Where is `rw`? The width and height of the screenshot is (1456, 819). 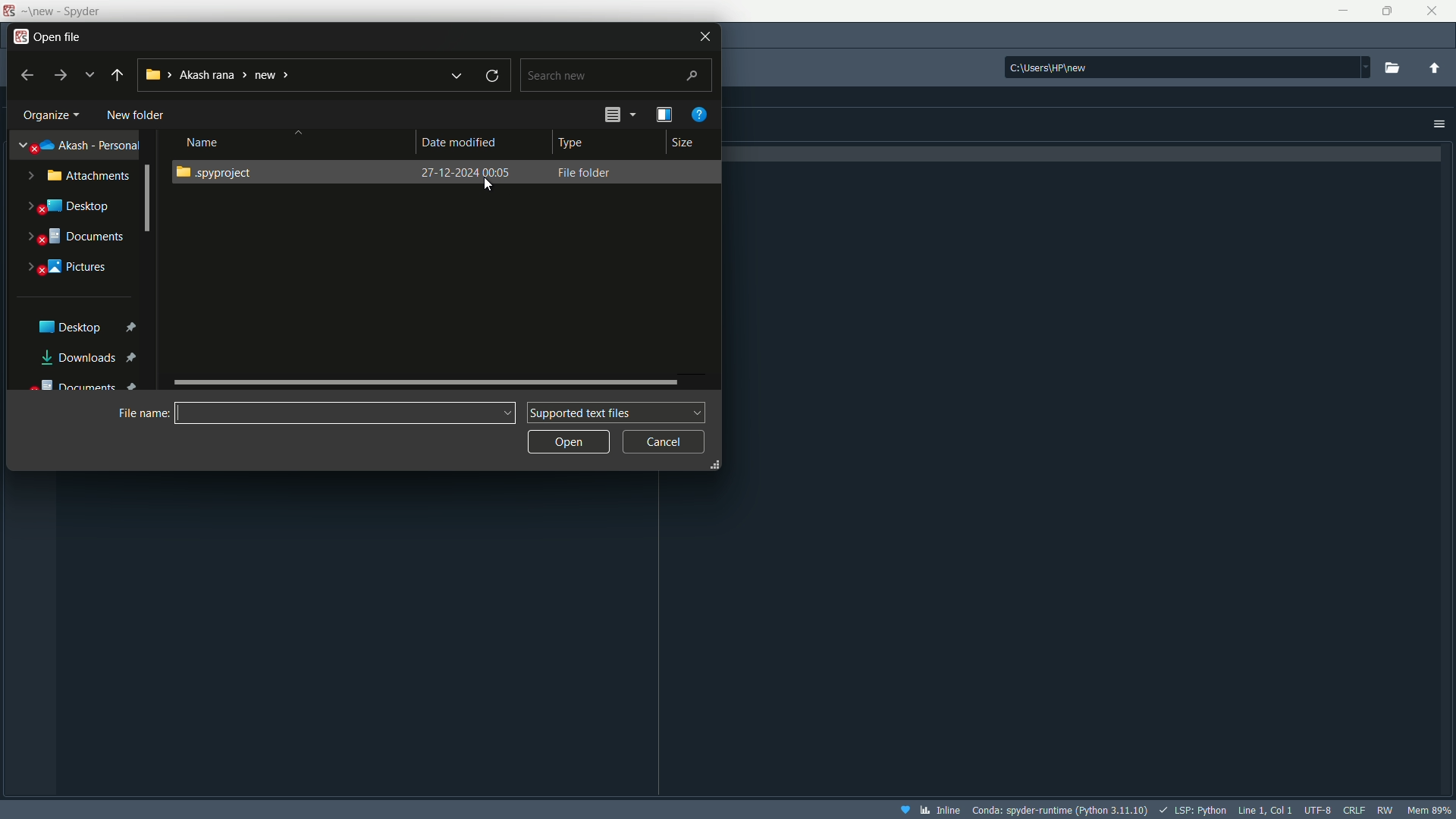
rw is located at coordinates (1385, 810).